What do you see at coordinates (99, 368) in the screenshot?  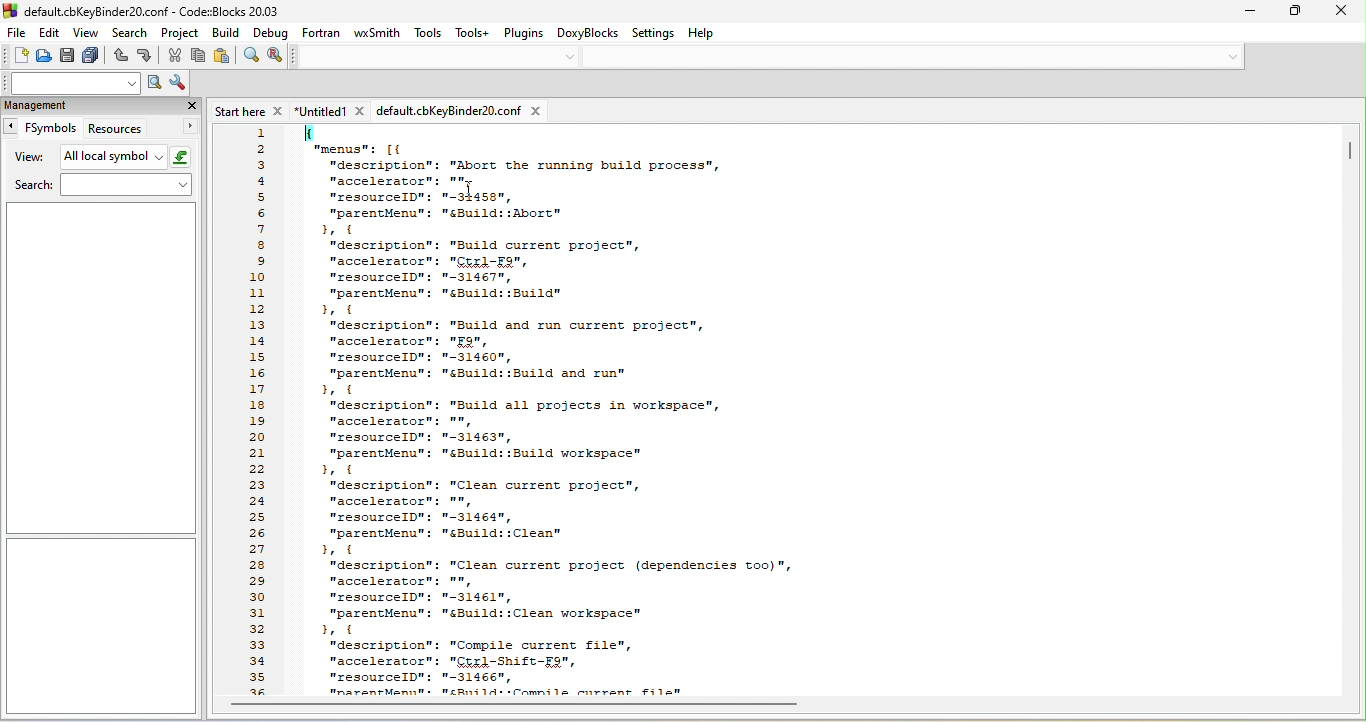 I see `sidebar` at bounding box center [99, 368].